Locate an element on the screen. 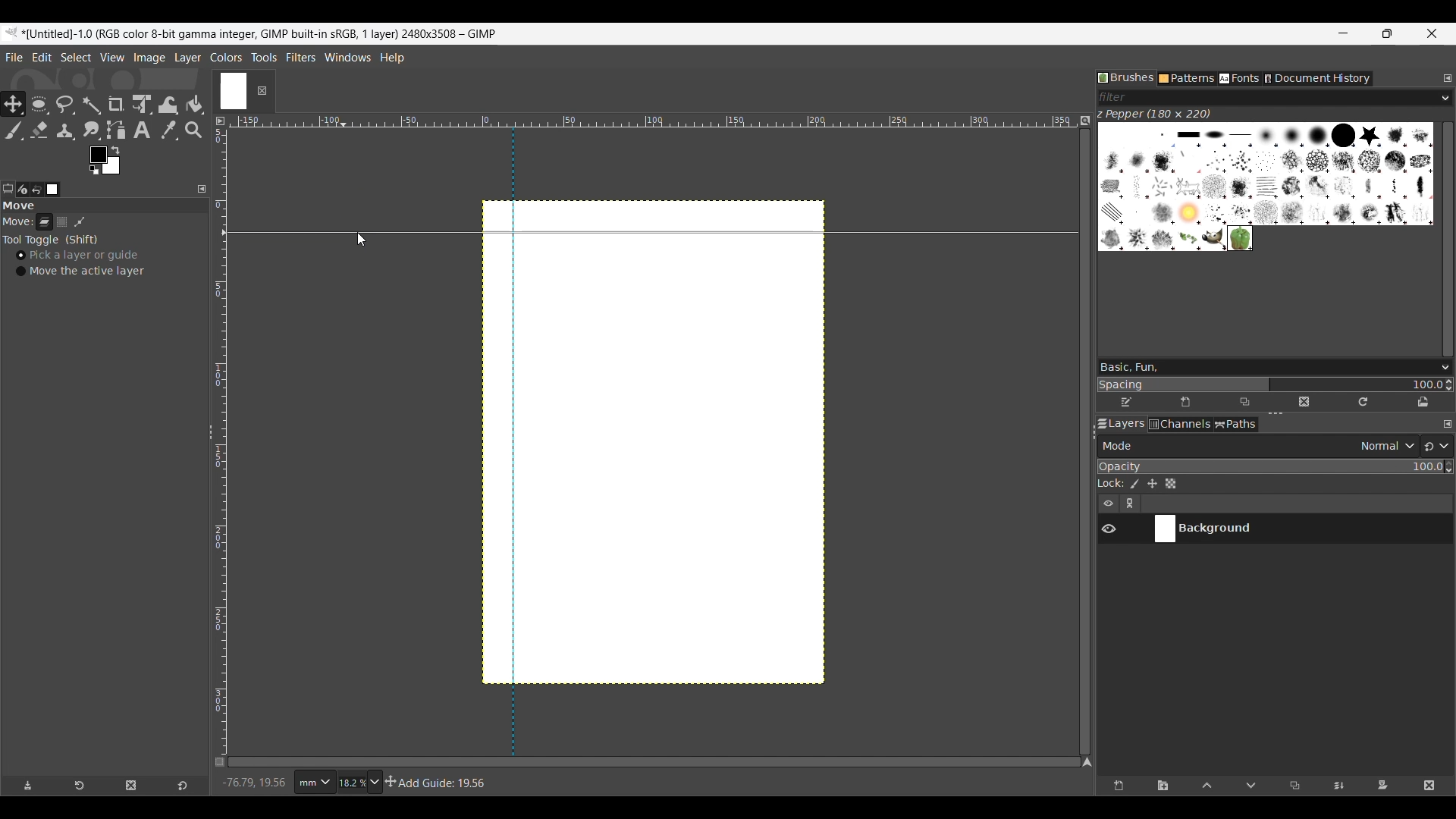  Navigate the image display is located at coordinates (1087, 762).